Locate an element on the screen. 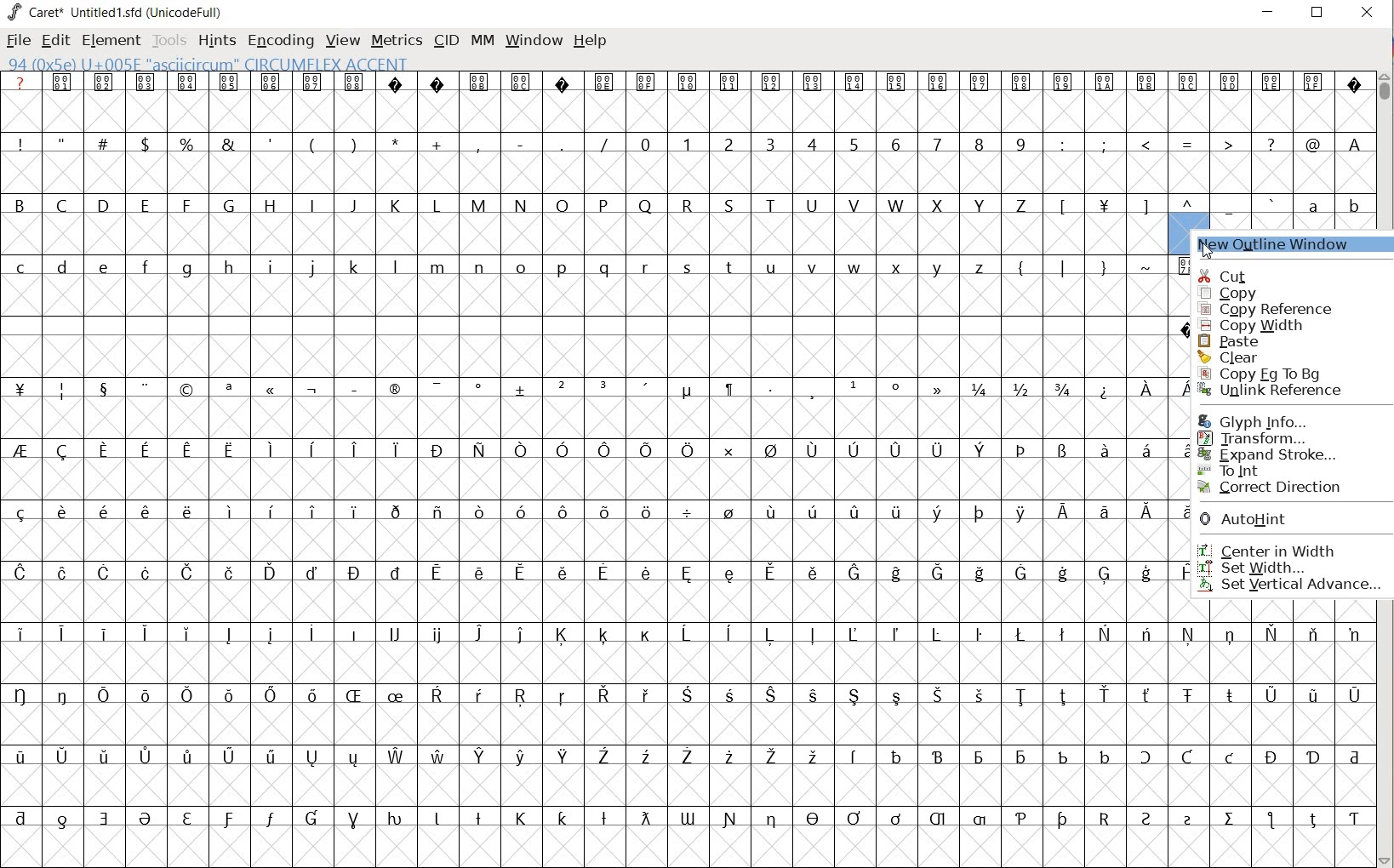 The width and height of the screenshot is (1394, 868). HINTS is located at coordinates (217, 40).